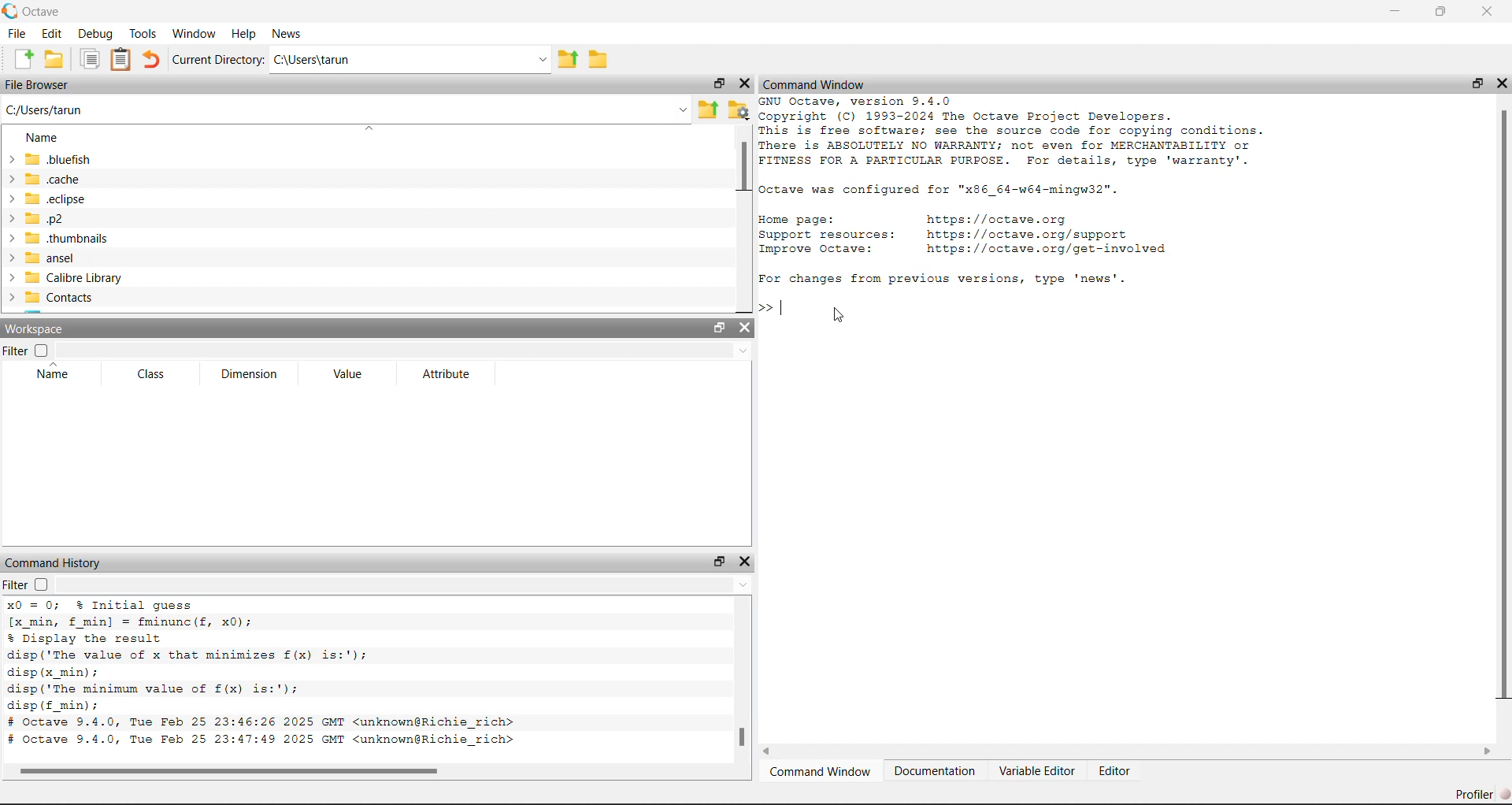 This screenshot has width=1512, height=805. I want to click on  Browse your files, so click(738, 107).